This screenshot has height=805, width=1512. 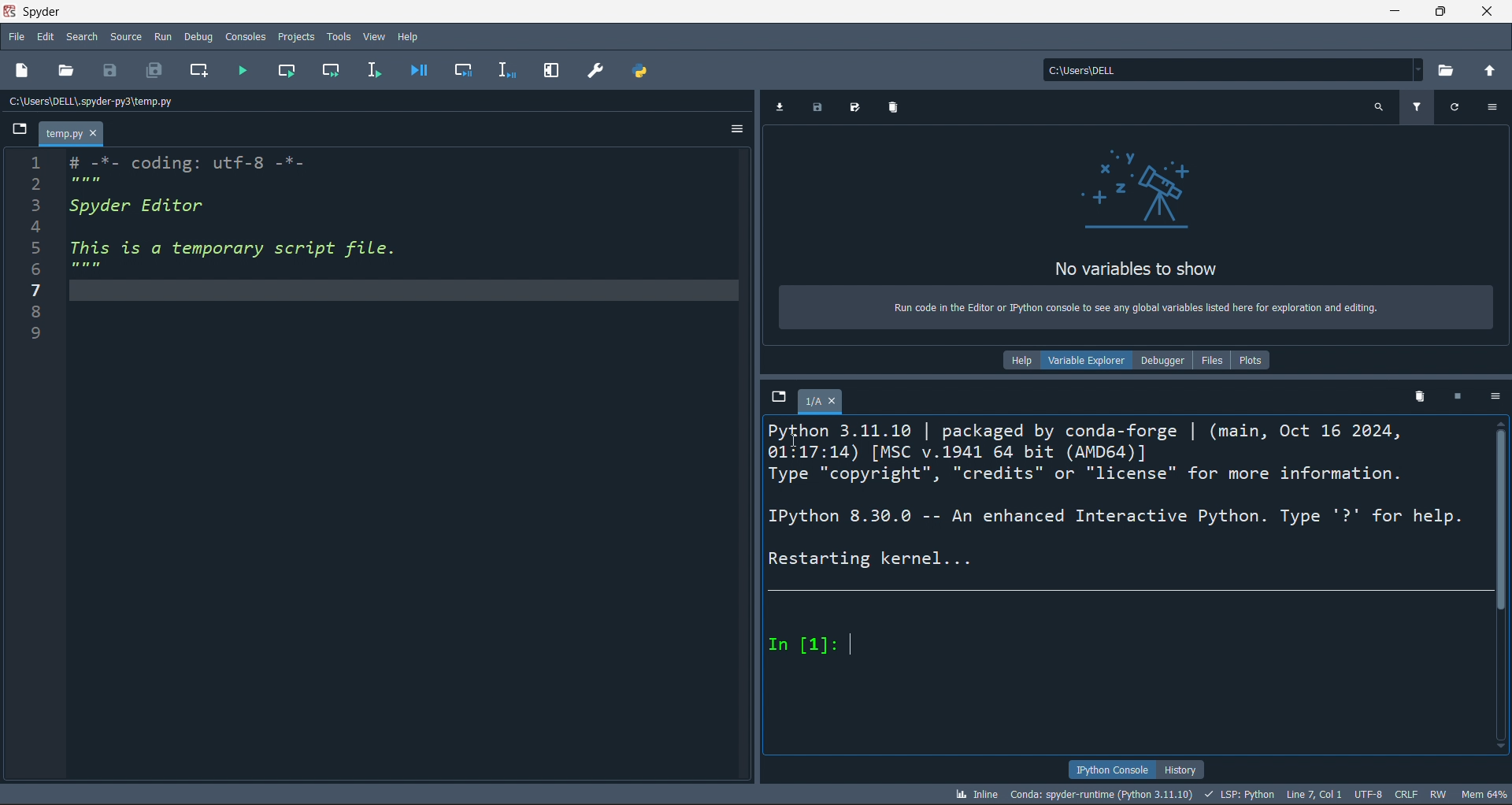 I want to click on help, so click(x=1021, y=360).